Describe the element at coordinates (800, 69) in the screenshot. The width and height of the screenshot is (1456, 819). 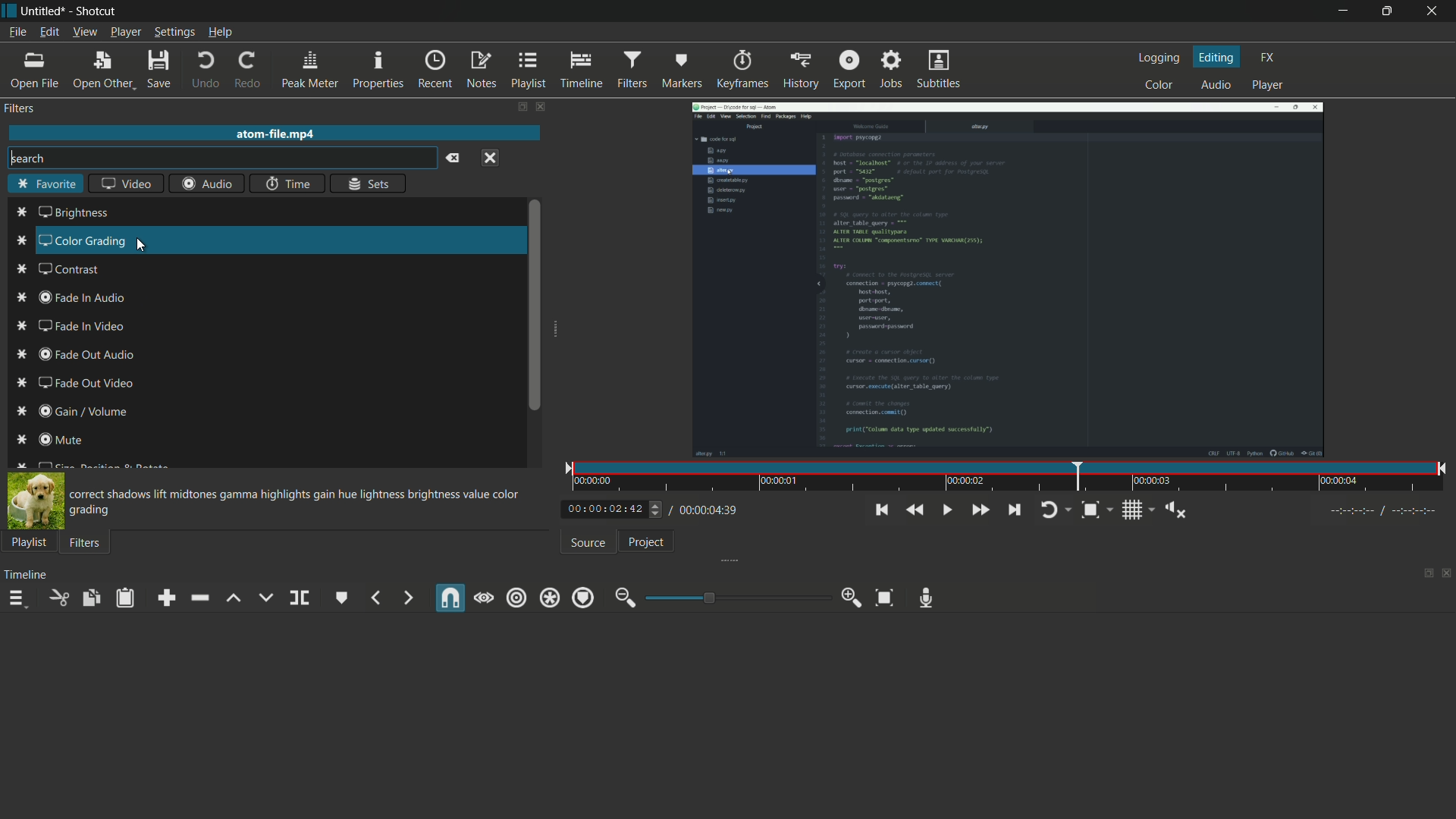
I see `history` at that location.